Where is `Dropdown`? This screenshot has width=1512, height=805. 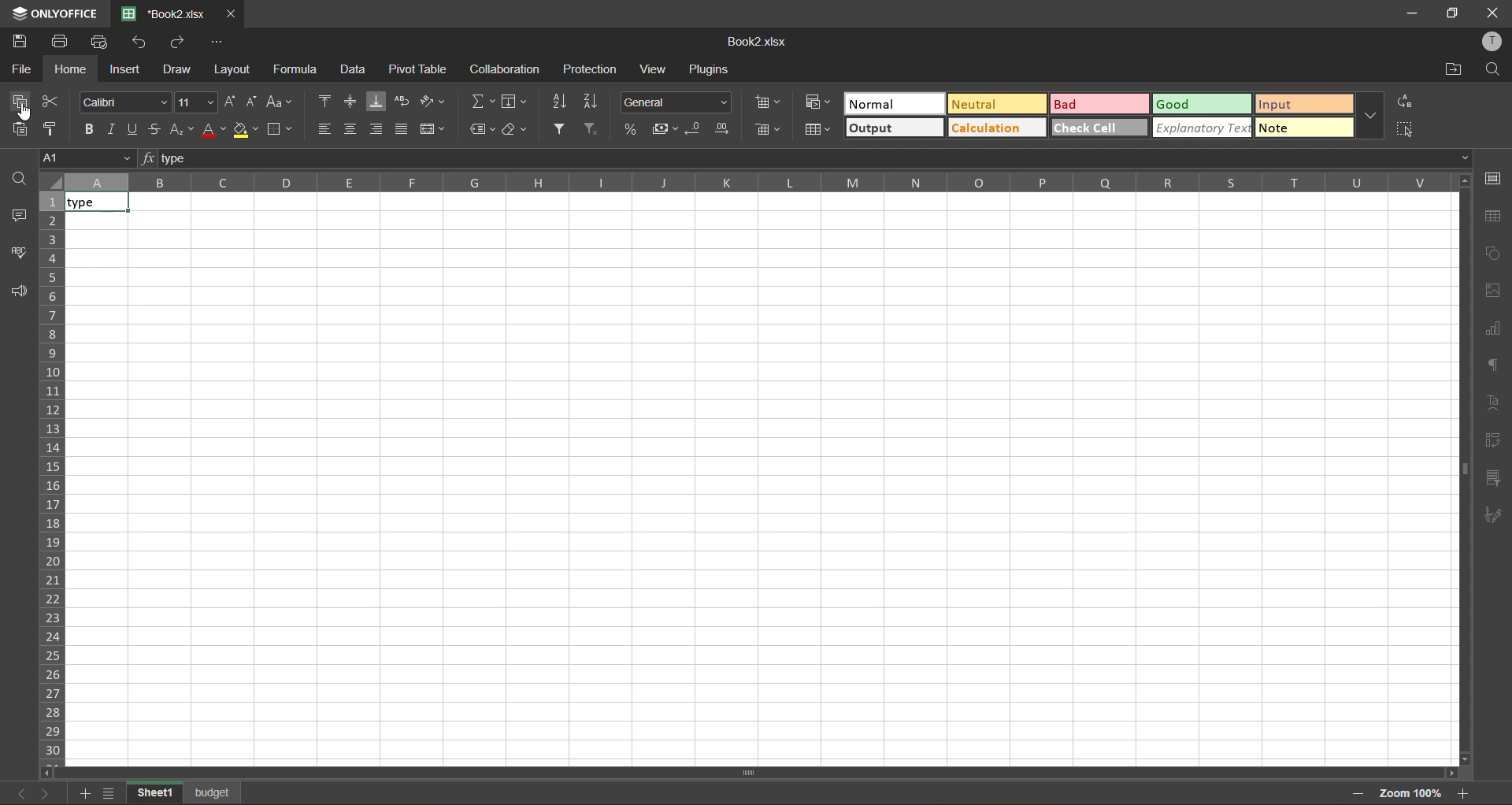
Dropdown is located at coordinates (1469, 158).